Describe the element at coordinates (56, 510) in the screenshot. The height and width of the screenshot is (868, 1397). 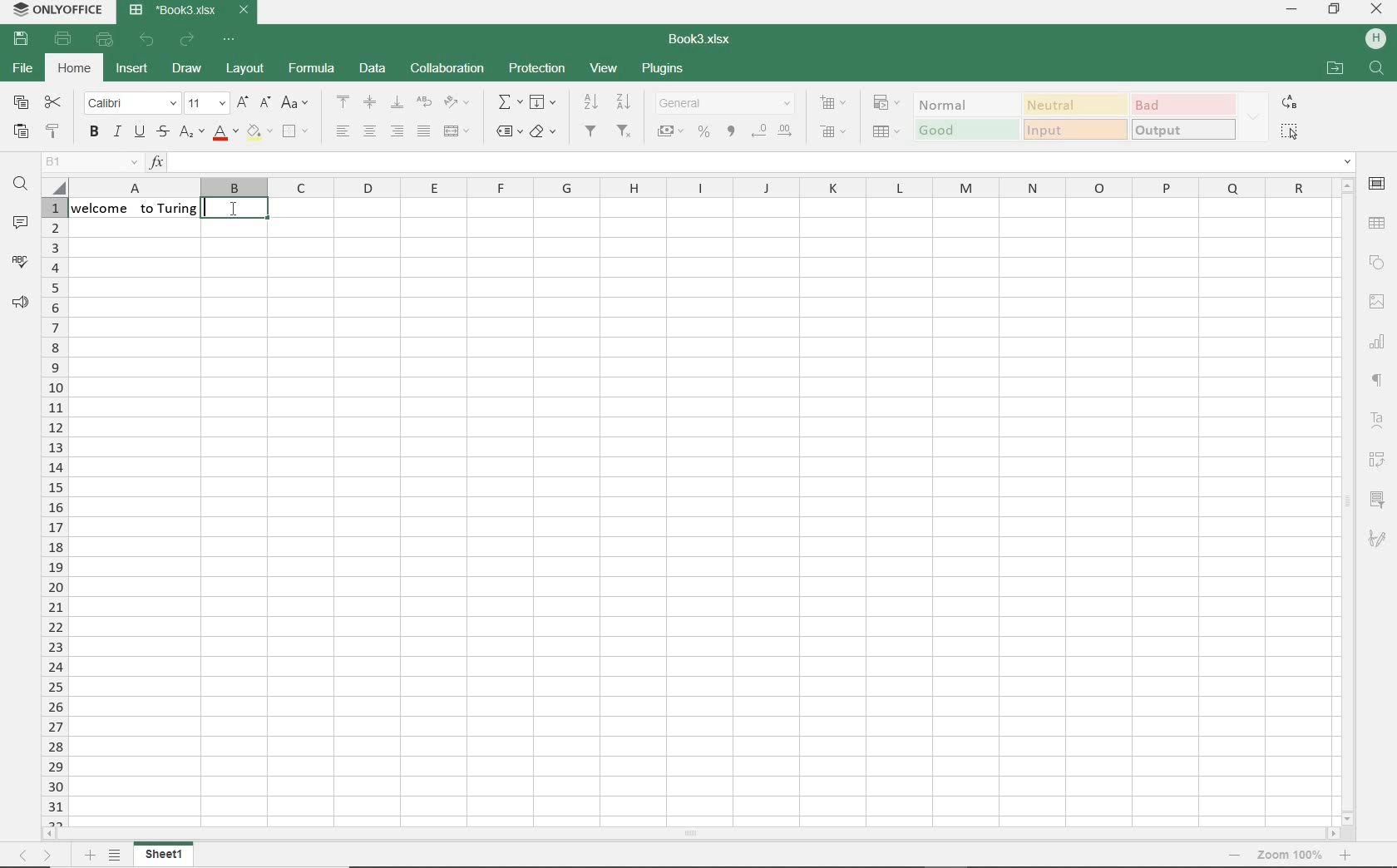
I see `rows` at that location.